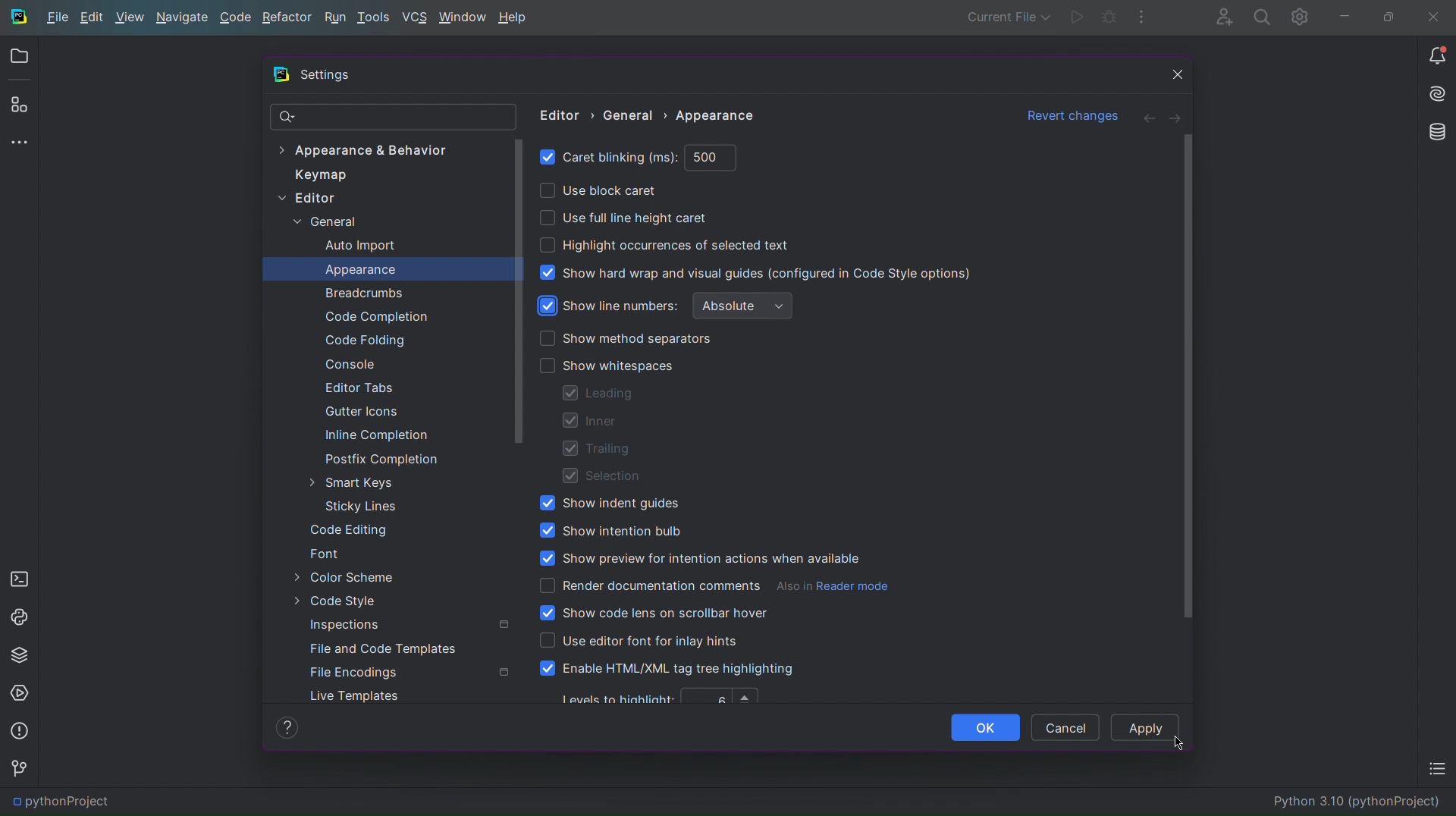 This screenshot has width=1456, height=816. Describe the element at coordinates (21, 58) in the screenshot. I see `Open` at that location.